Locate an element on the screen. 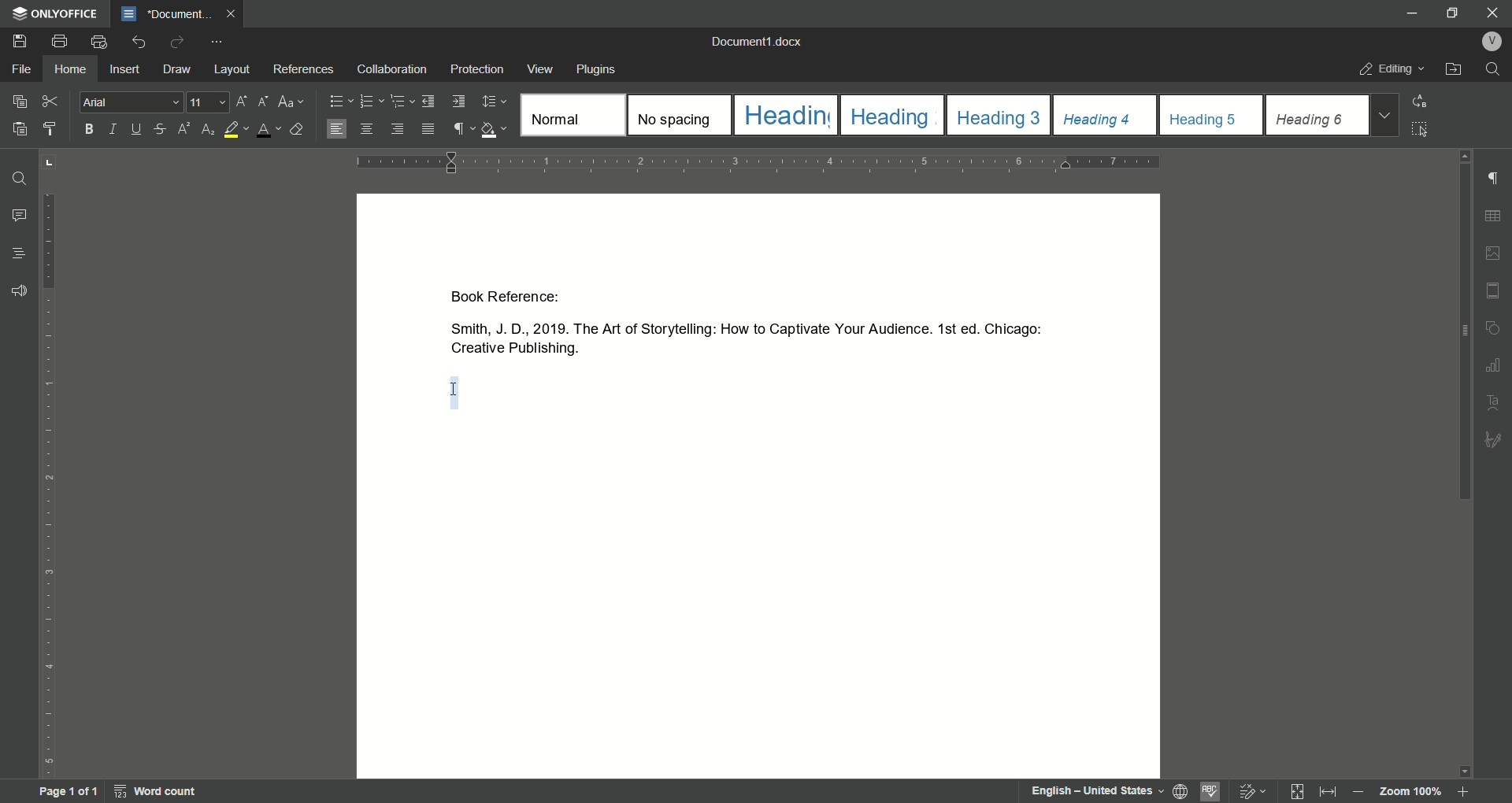 Image resolution: width=1512 pixels, height=803 pixels. select all is located at coordinates (1421, 130).